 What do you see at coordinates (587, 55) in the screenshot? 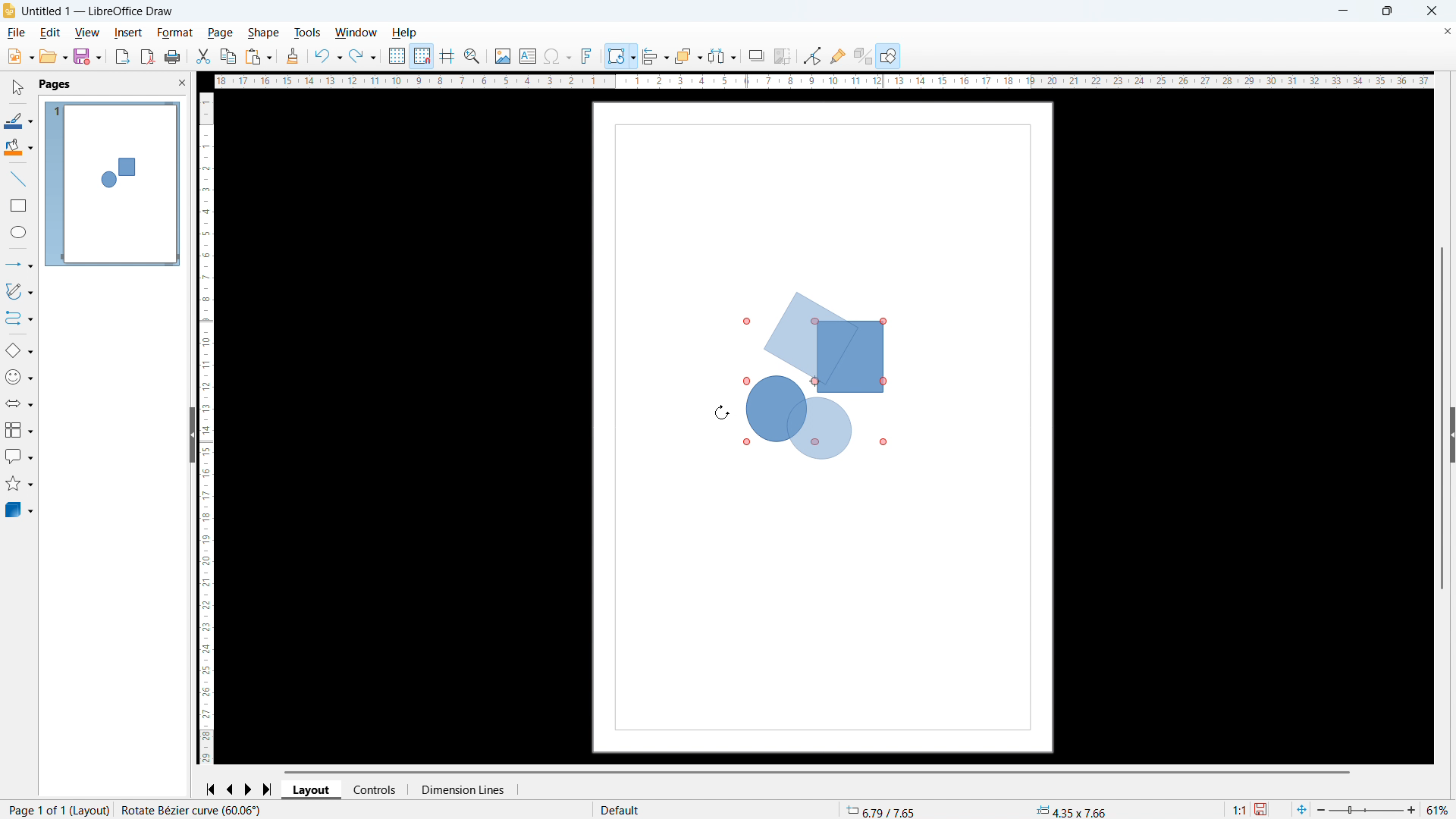
I see `Insert font work text` at bounding box center [587, 55].